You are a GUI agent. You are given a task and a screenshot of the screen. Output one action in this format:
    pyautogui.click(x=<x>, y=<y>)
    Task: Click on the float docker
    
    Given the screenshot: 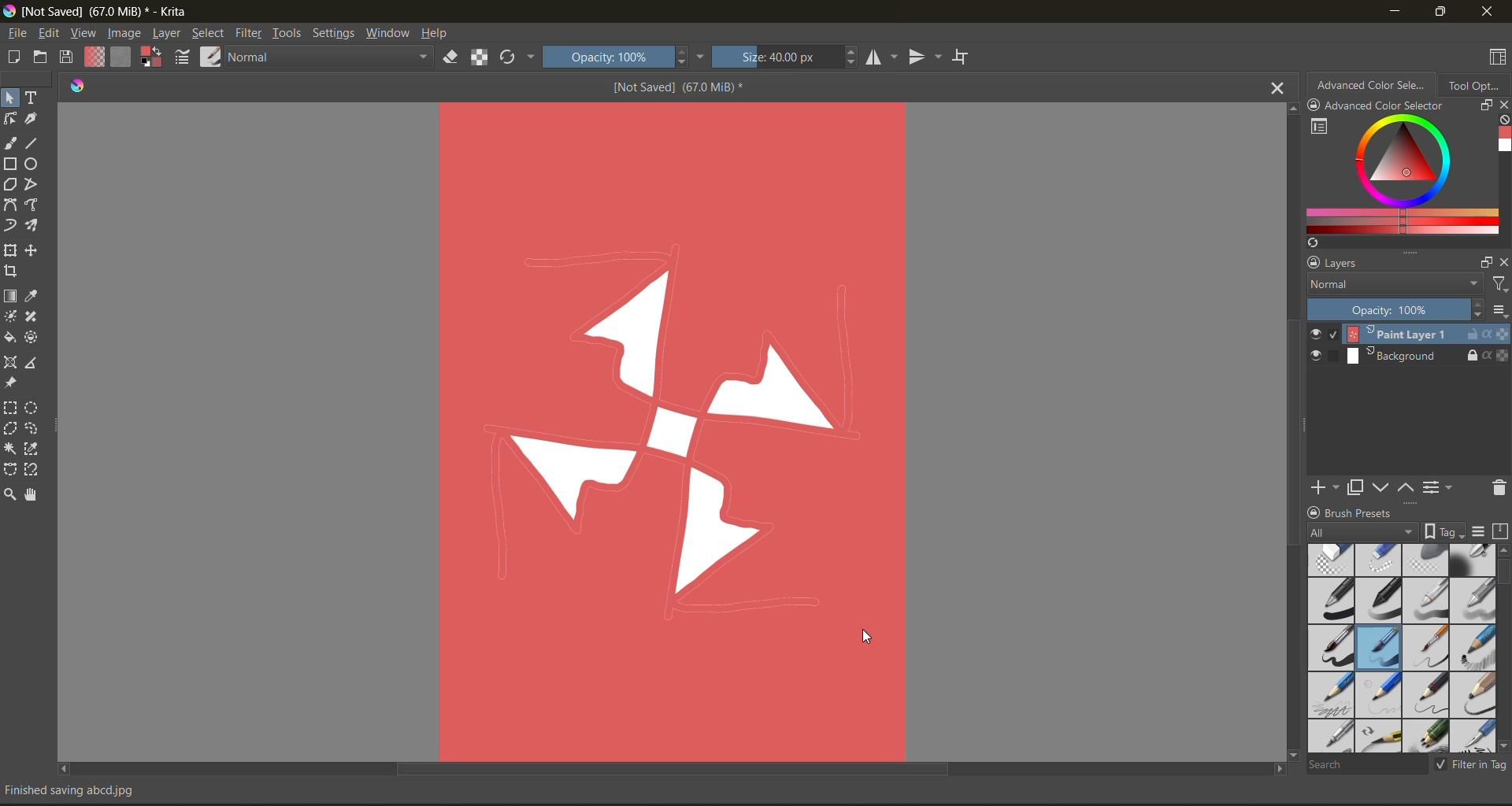 What is the action you would take?
    pyautogui.click(x=1488, y=262)
    